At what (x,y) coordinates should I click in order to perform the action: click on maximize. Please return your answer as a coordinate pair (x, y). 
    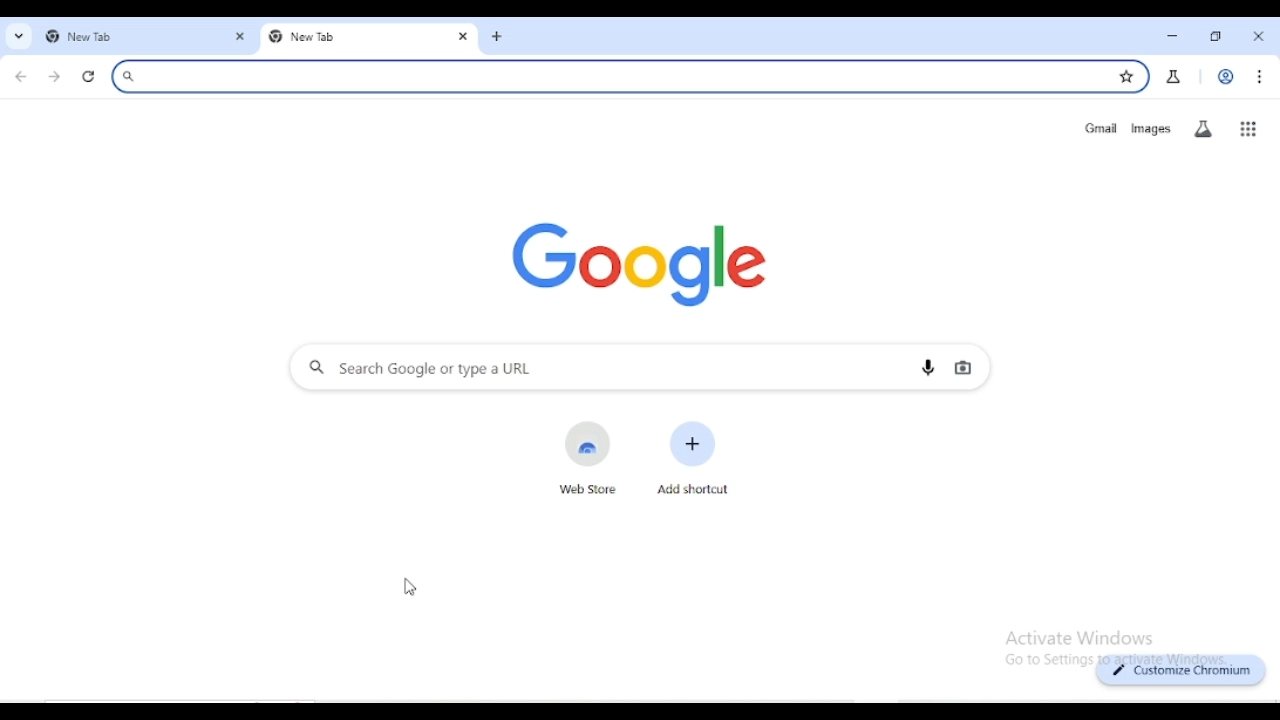
    Looking at the image, I should click on (1217, 37).